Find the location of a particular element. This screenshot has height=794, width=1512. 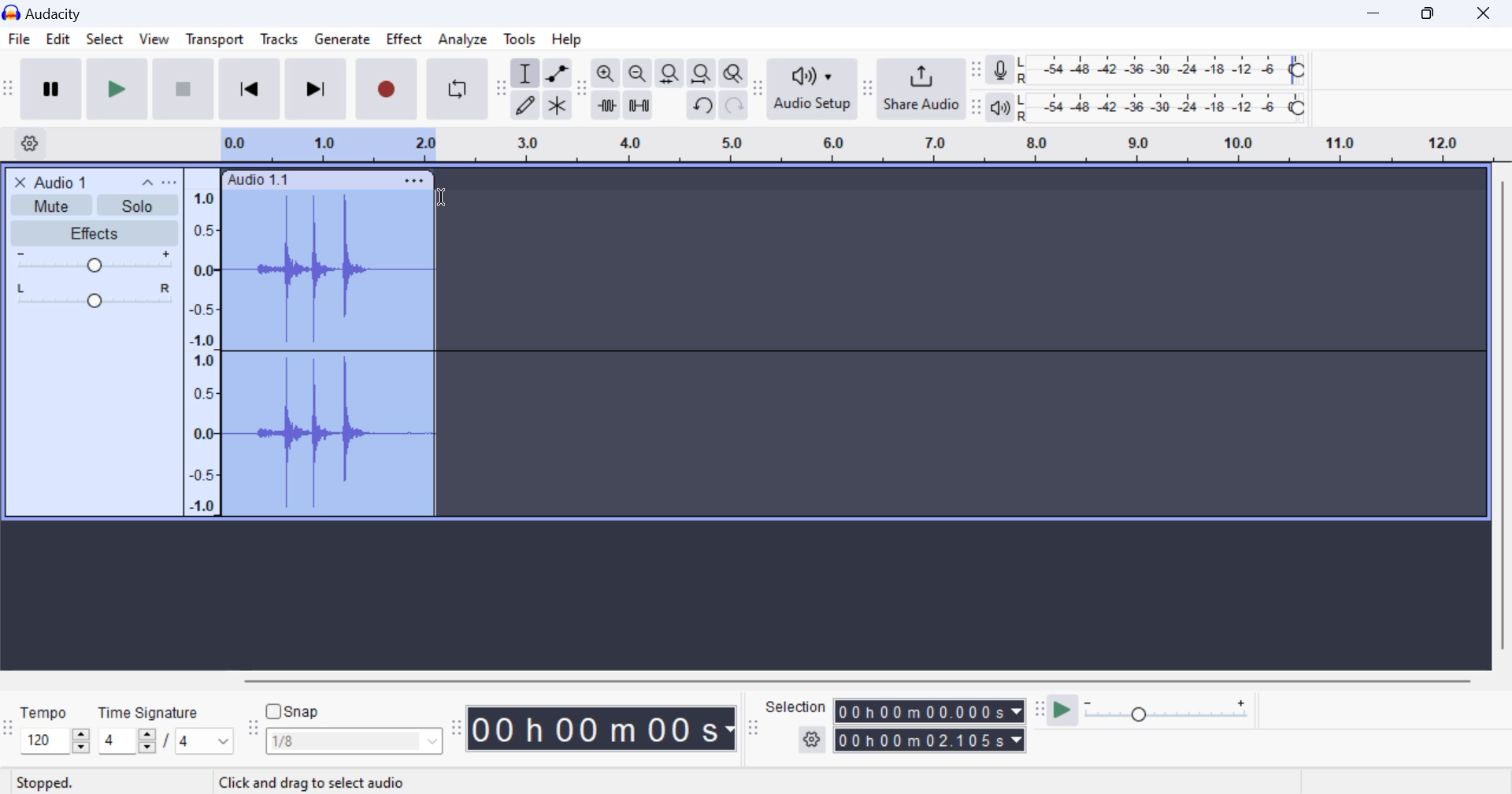

Stop is located at coordinates (185, 88).